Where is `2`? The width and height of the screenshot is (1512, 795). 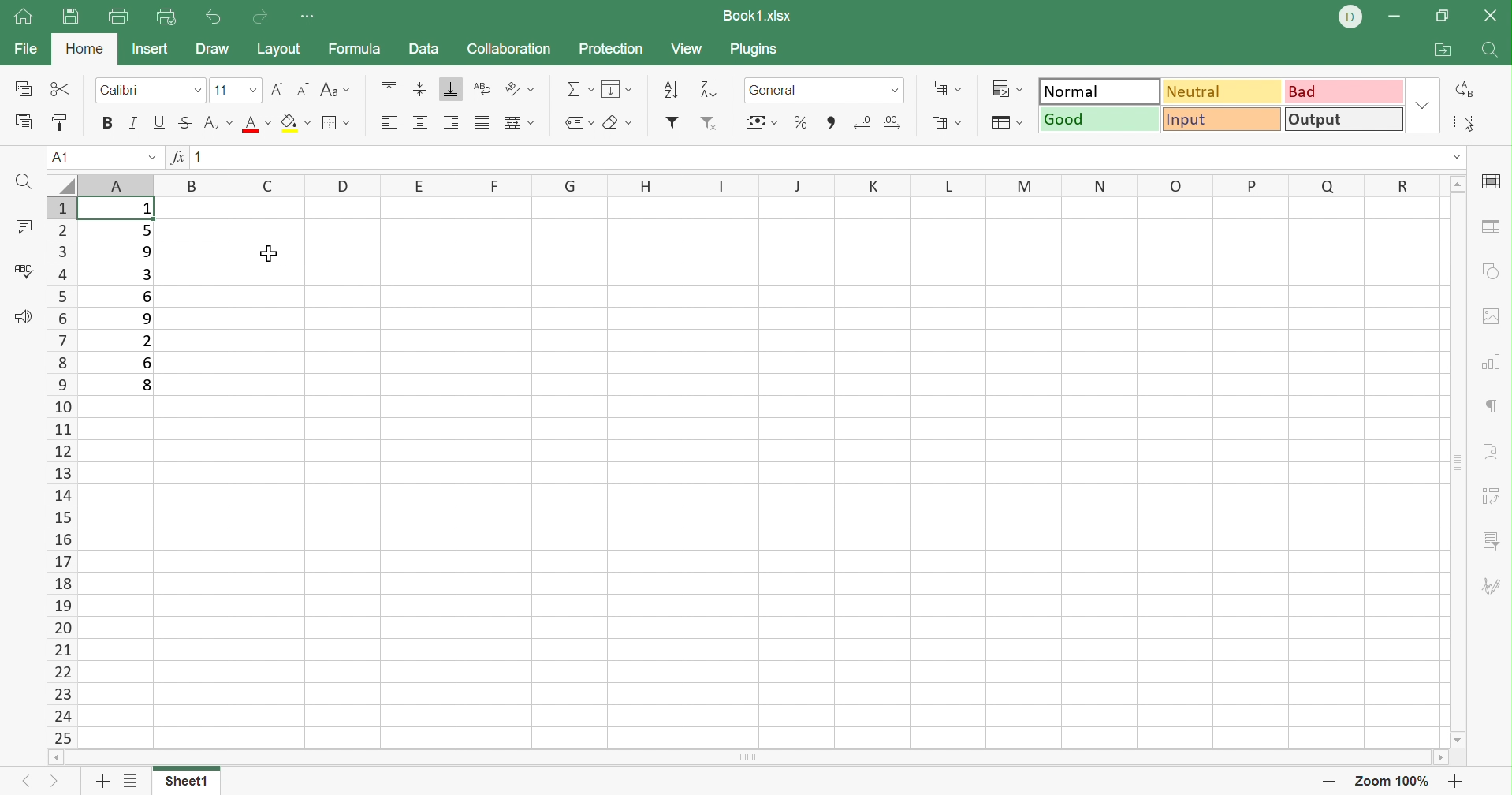
2 is located at coordinates (147, 341).